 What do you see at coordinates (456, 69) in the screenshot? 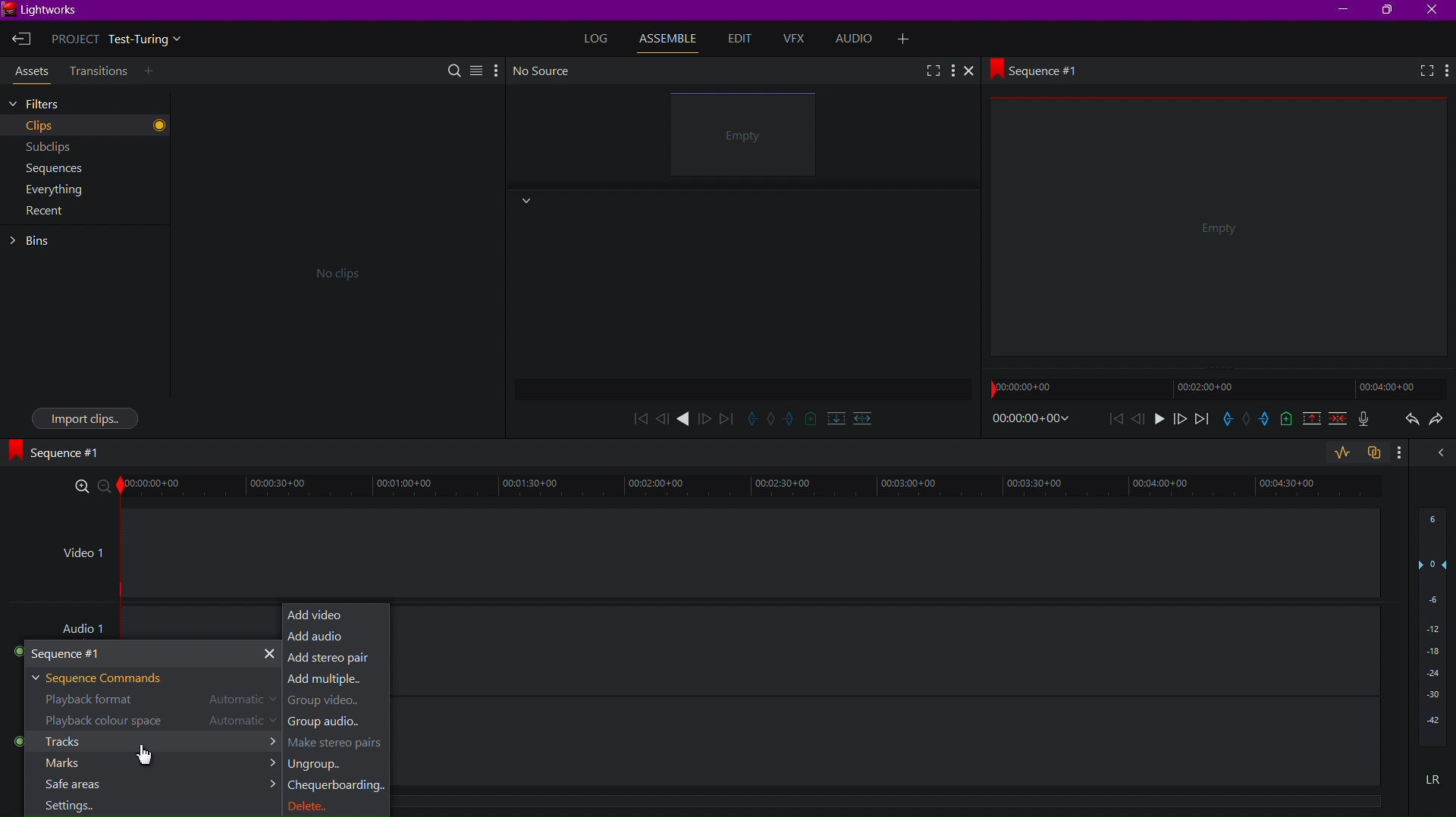
I see `Search` at bounding box center [456, 69].